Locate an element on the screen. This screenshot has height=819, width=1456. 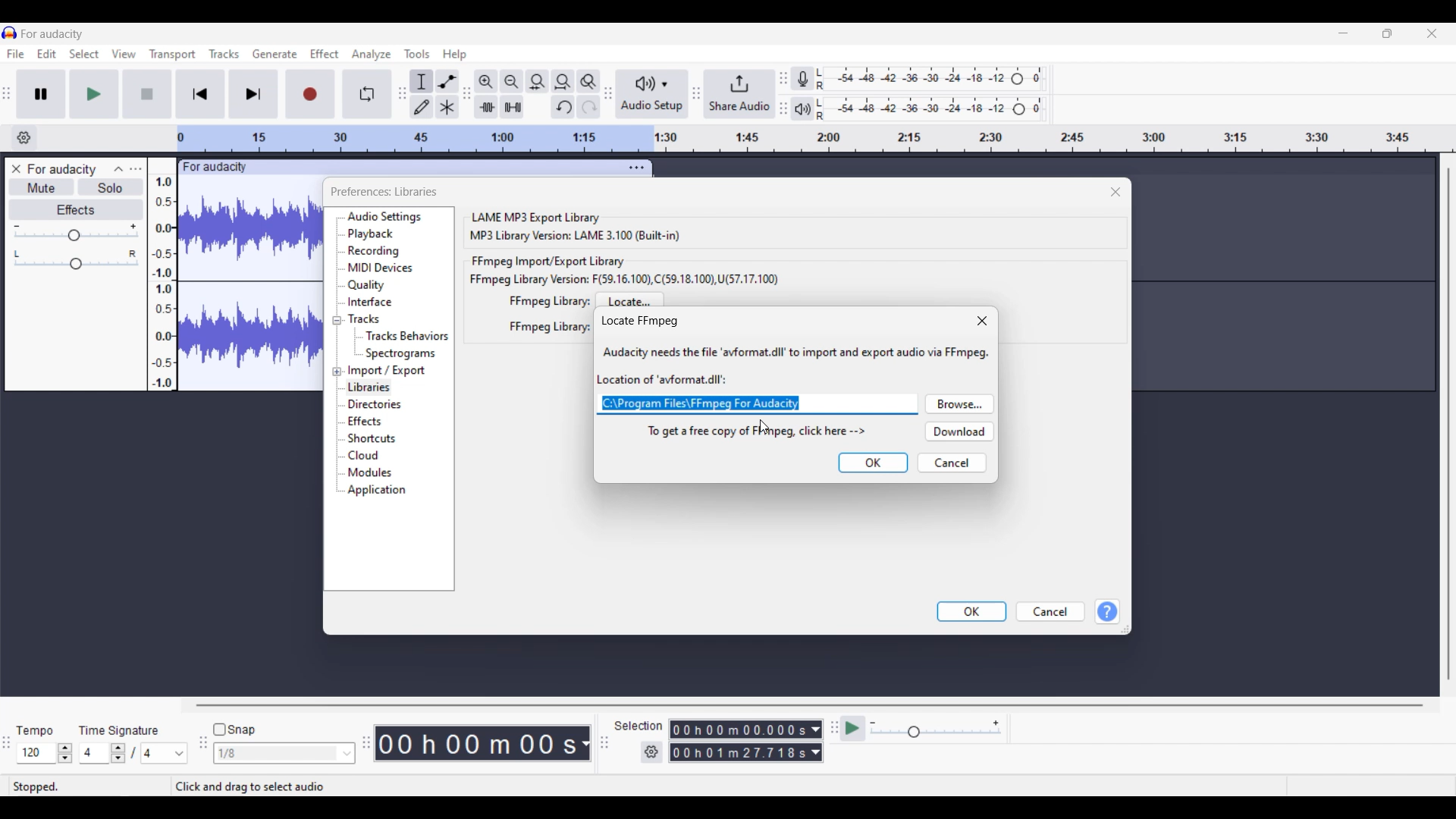
Redo is located at coordinates (588, 107).